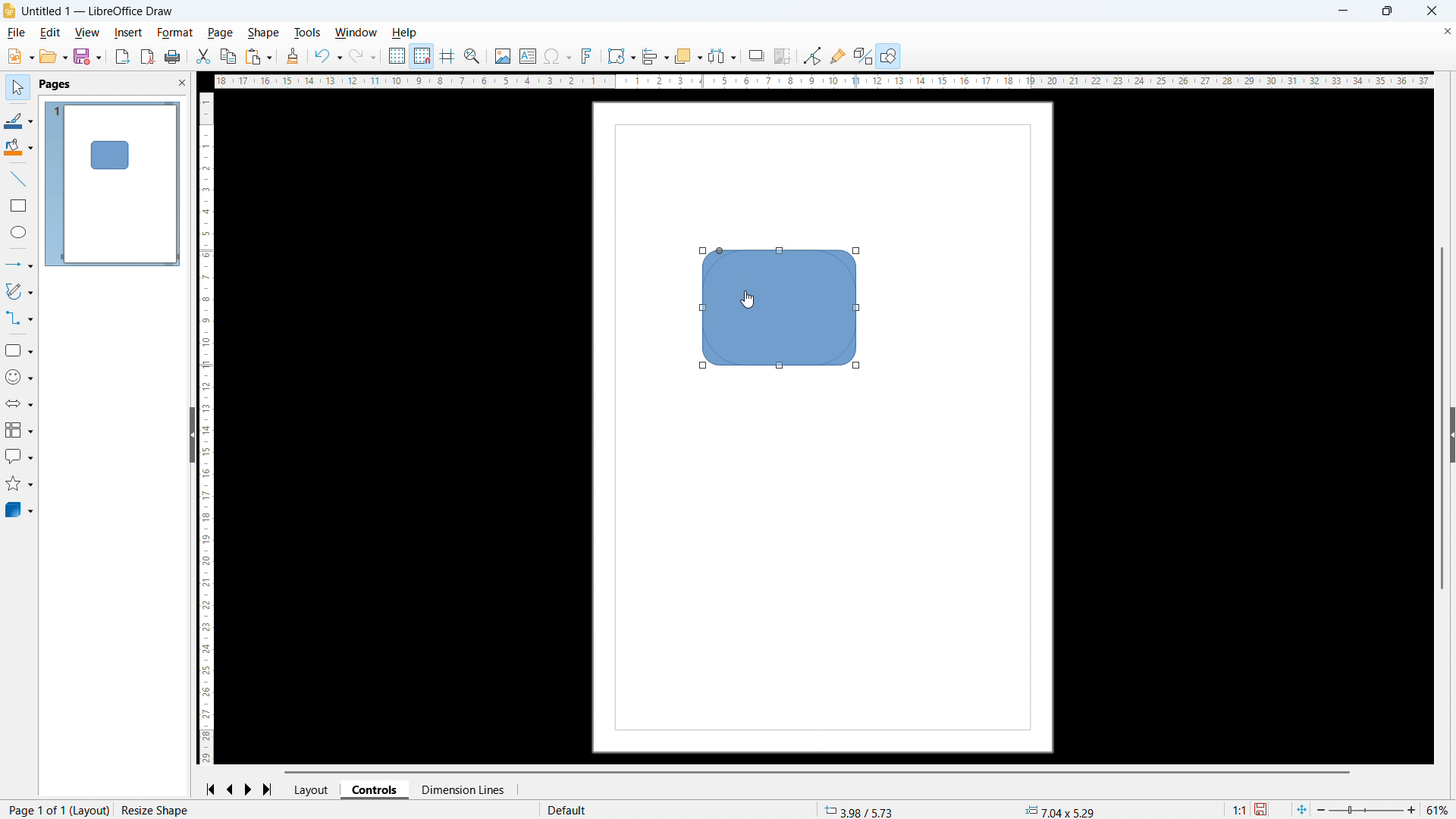 Image resolution: width=1456 pixels, height=819 pixels. Describe the element at coordinates (782, 57) in the screenshot. I see `crop image` at that location.